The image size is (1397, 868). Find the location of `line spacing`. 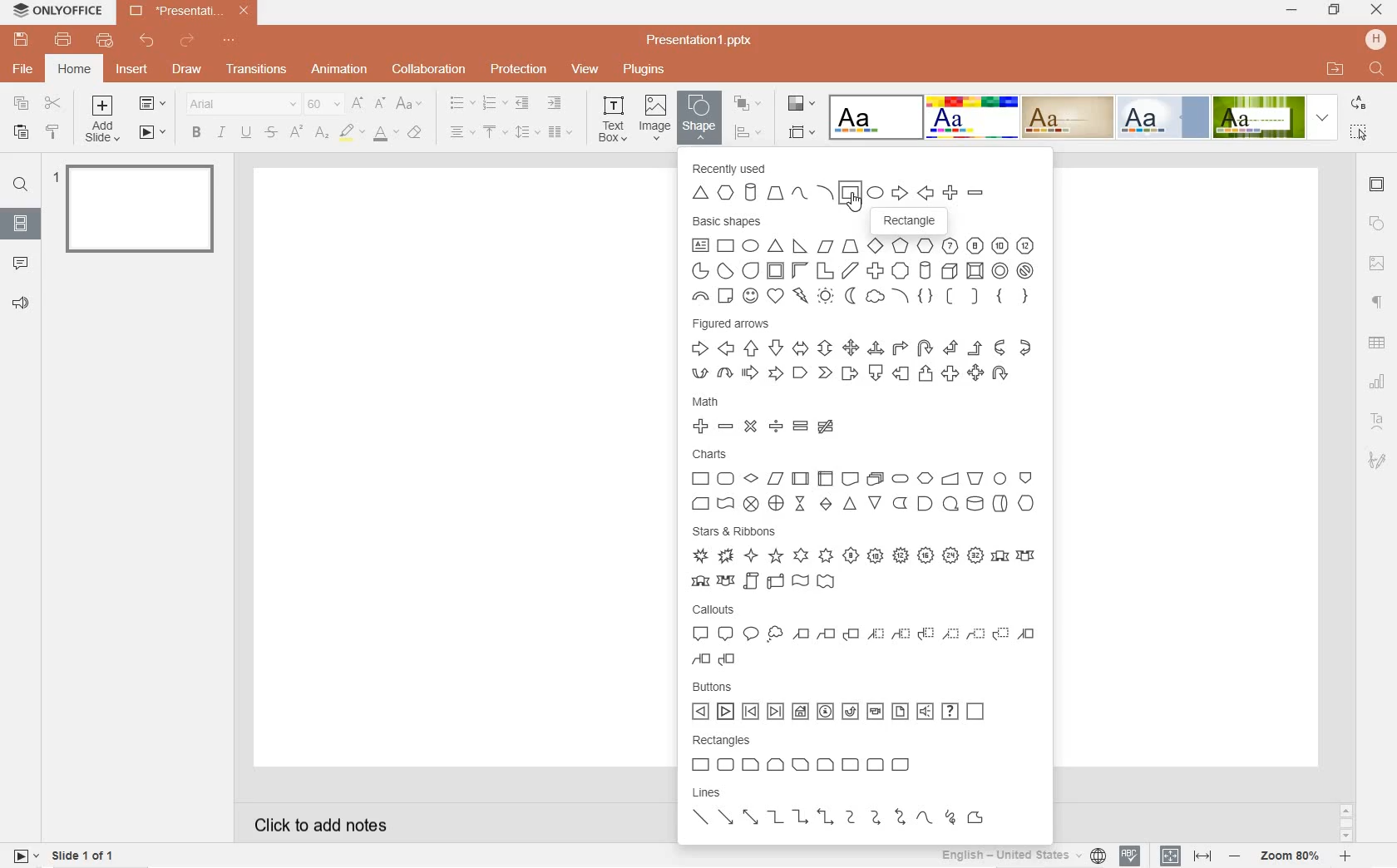

line spacing is located at coordinates (526, 131).